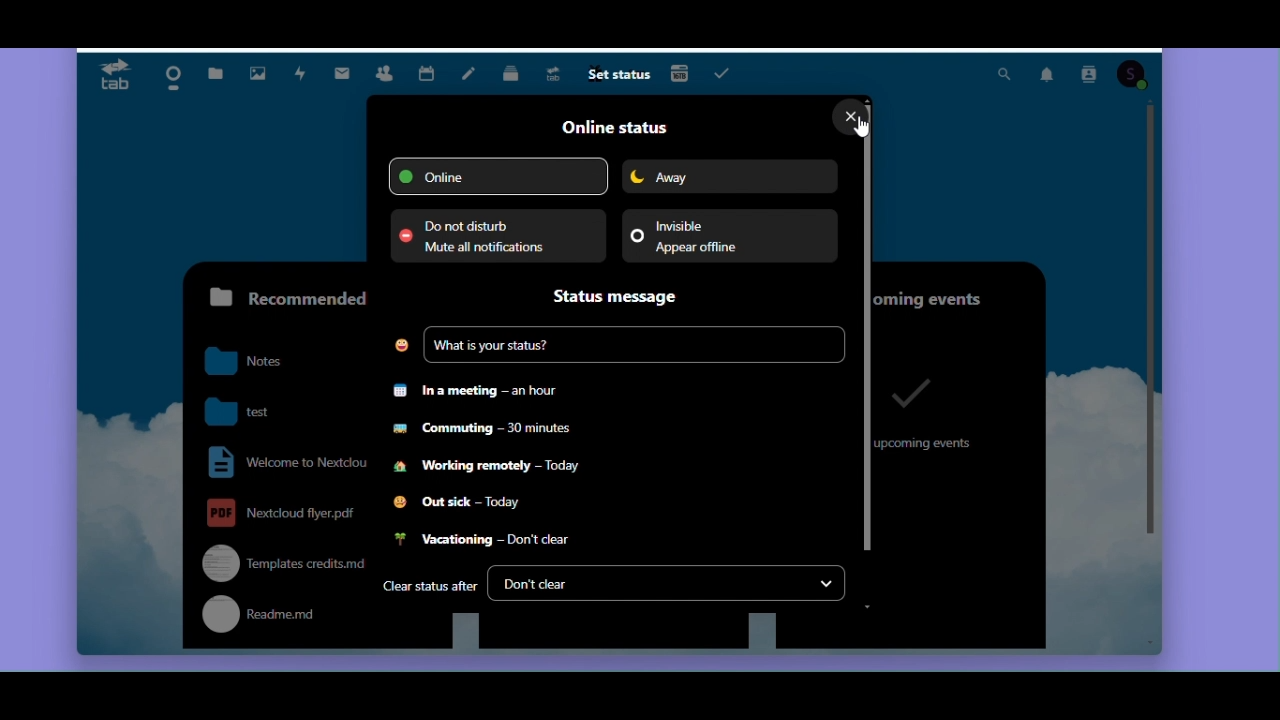 This screenshot has width=1280, height=720. What do you see at coordinates (489, 471) in the screenshot?
I see `Working remotely today` at bounding box center [489, 471].